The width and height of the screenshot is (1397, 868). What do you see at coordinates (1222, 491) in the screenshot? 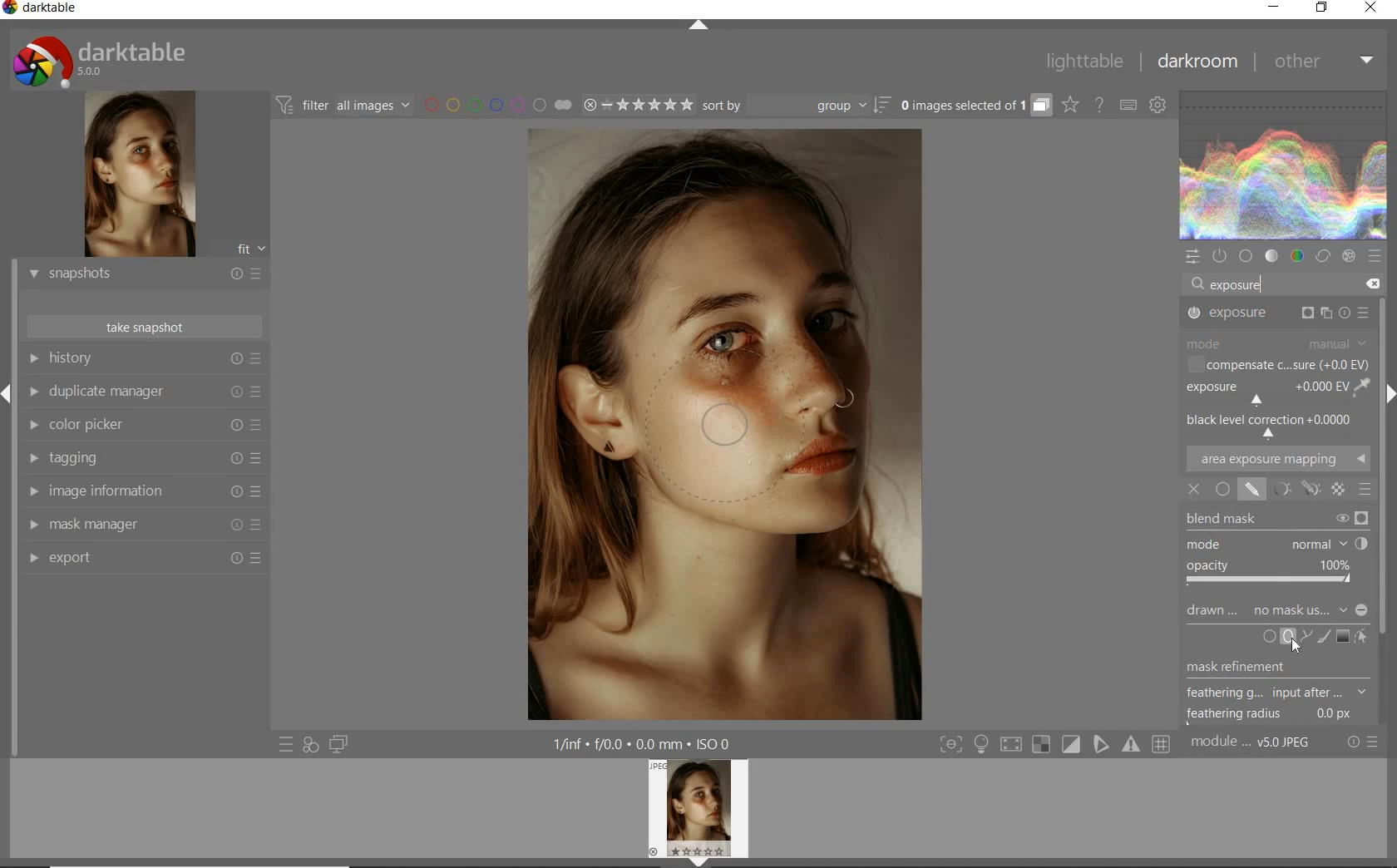
I see `UNIFORMLY` at bounding box center [1222, 491].